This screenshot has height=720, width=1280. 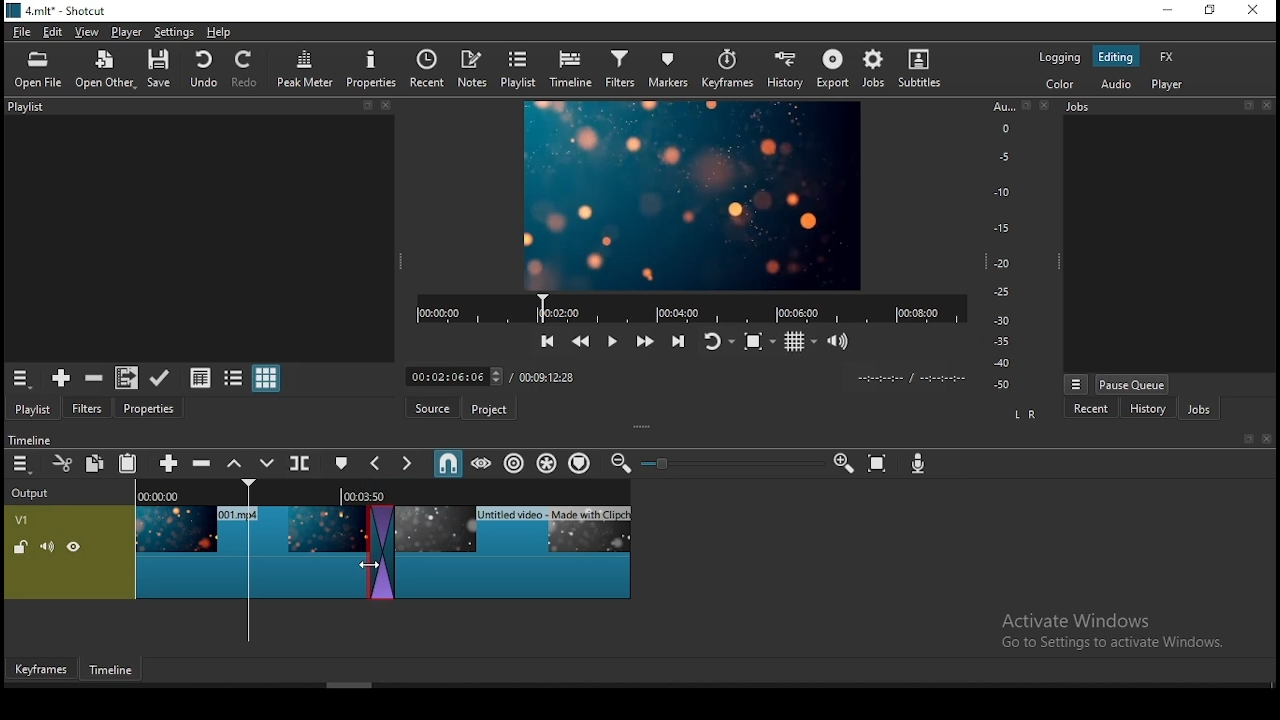 What do you see at coordinates (1076, 385) in the screenshot?
I see `jobs menu` at bounding box center [1076, 385].